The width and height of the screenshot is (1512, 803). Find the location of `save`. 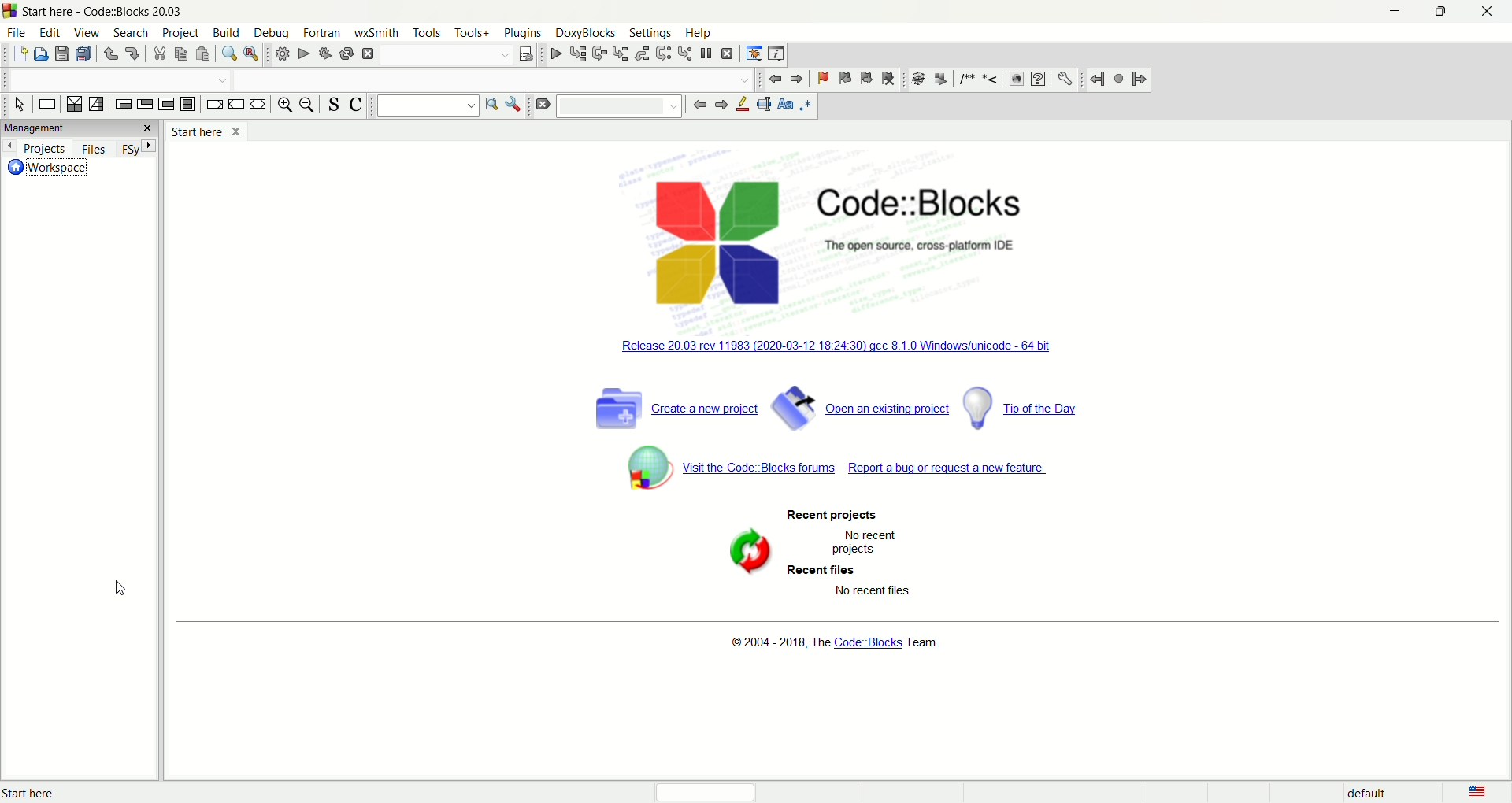

save is located at coordinates (61, 54).